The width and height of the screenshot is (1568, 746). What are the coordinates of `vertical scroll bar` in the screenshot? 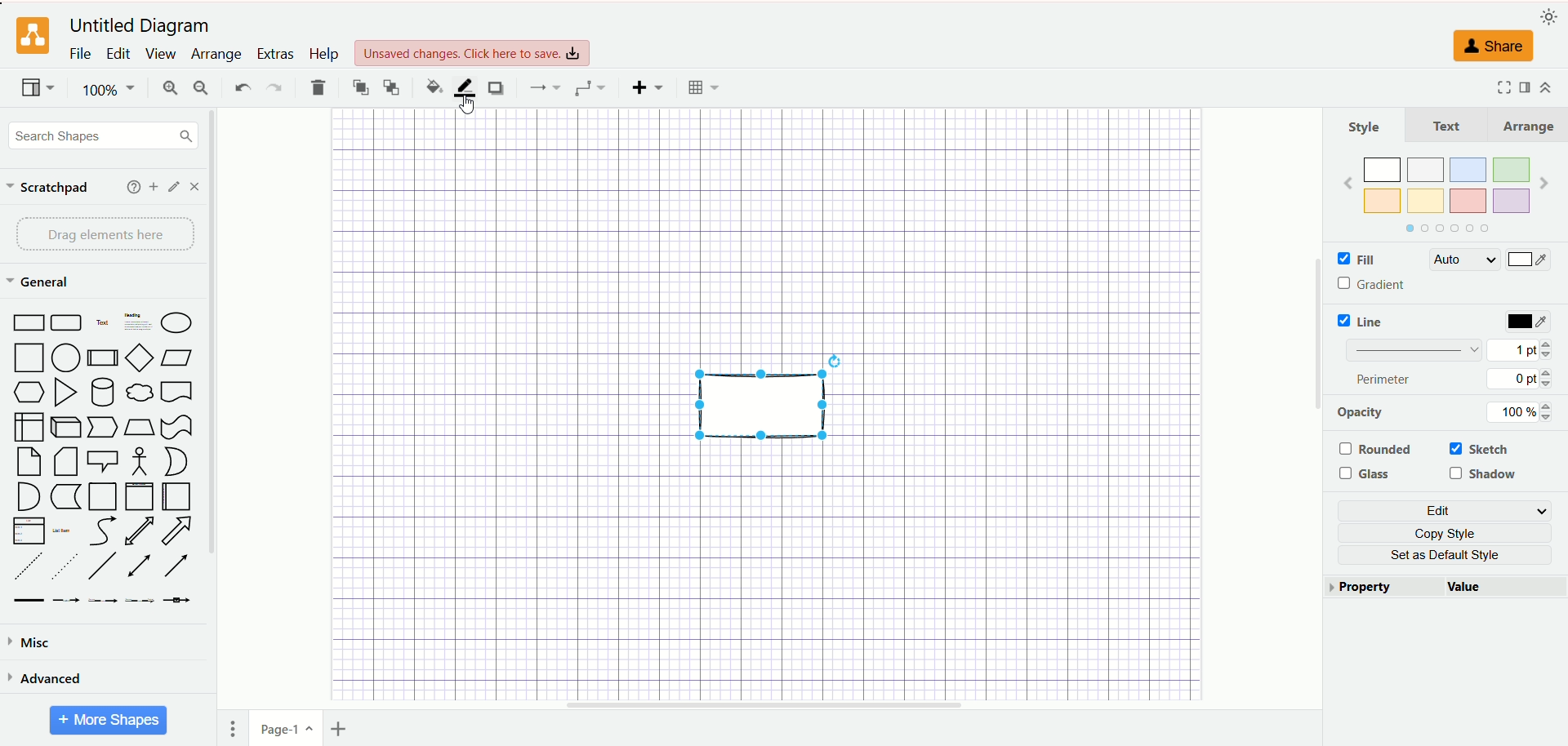 It's located at (216, 408).